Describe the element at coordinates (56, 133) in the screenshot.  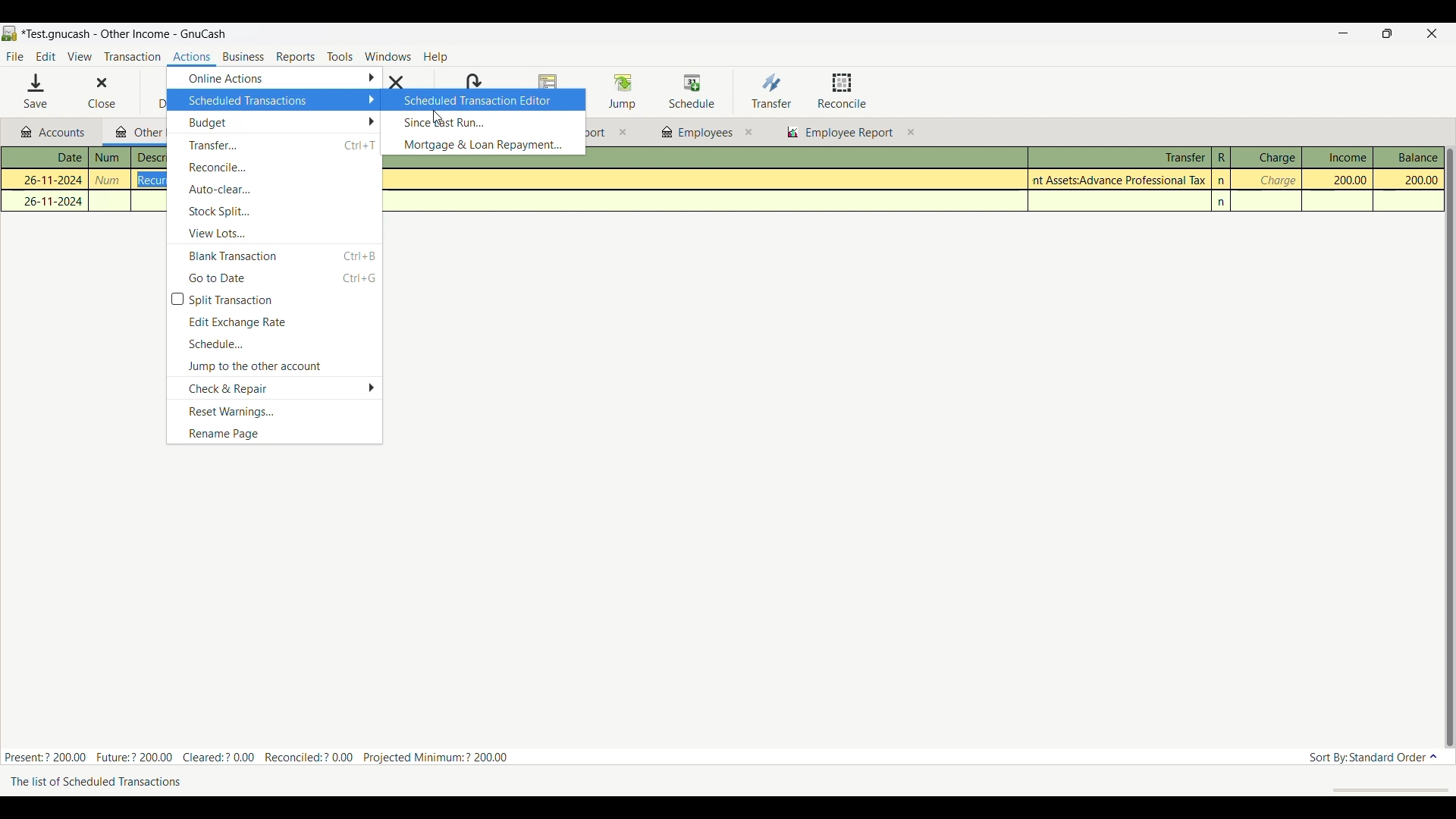
I see `Accounts` at that location.